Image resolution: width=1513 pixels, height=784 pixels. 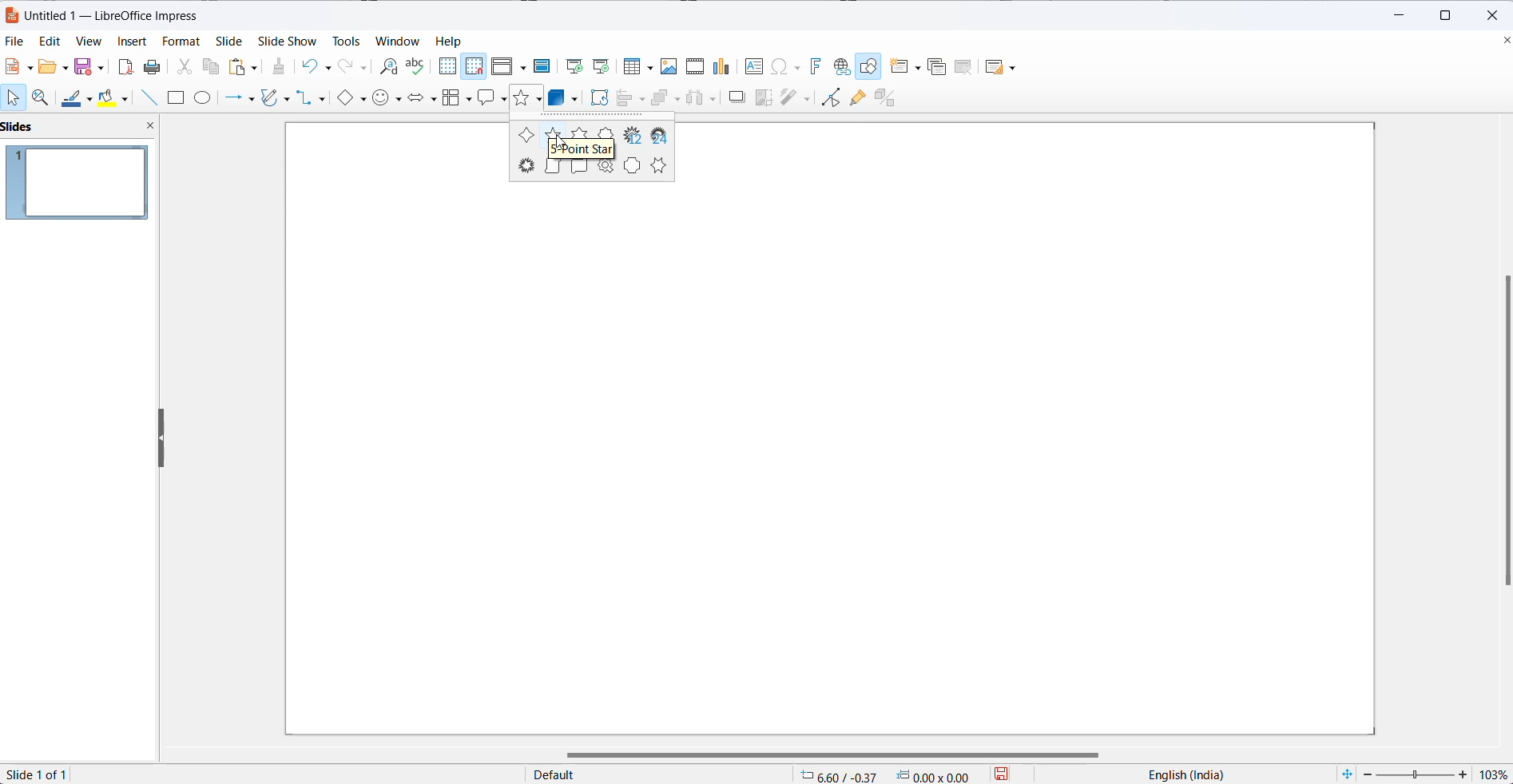 What do you see at coordinates (760, 98) in the screenshot?
I see `crop image` at bounding box center [760, 98].